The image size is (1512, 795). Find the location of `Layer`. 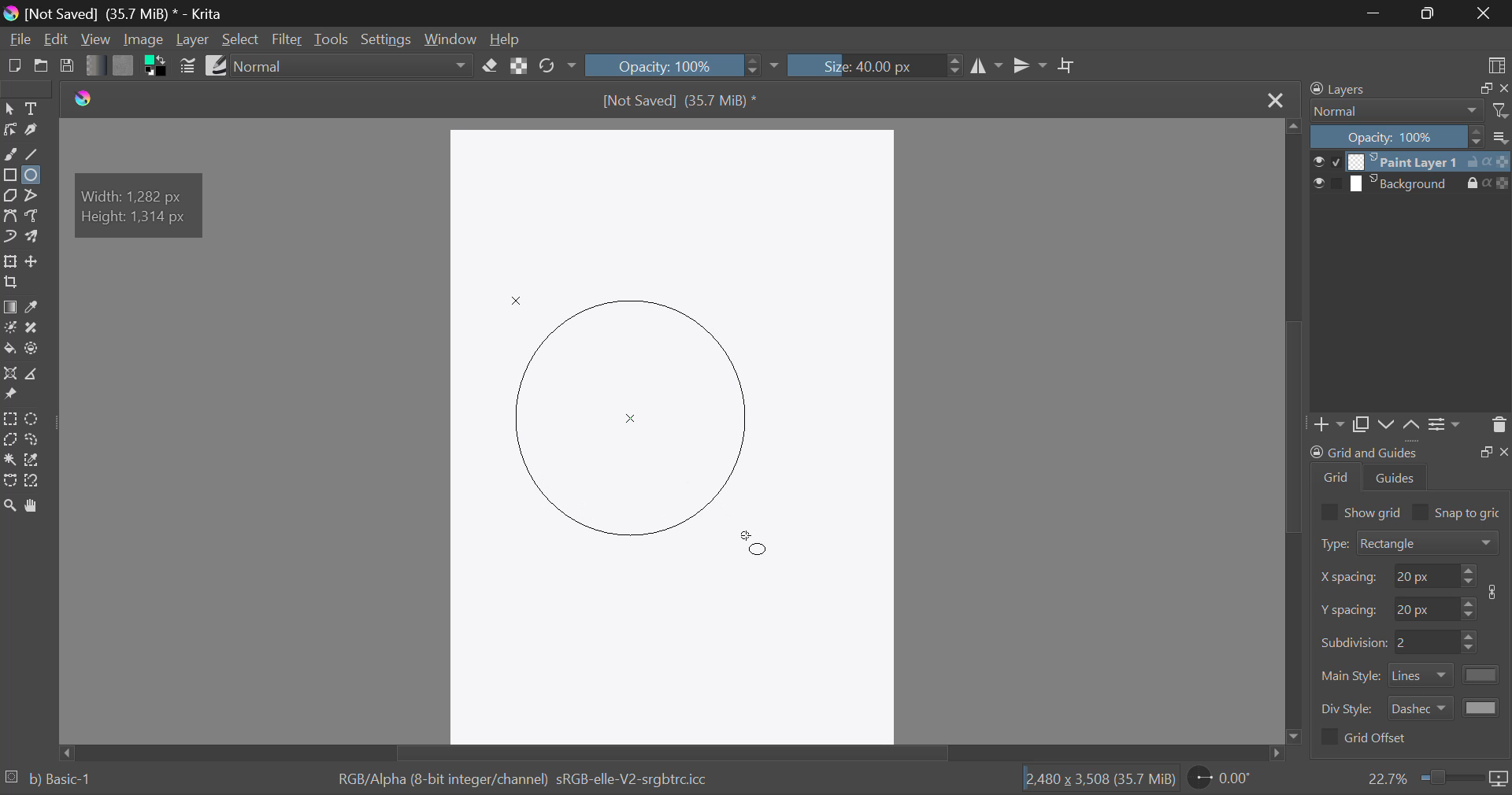

Layer is located at coordinates (193, 41).